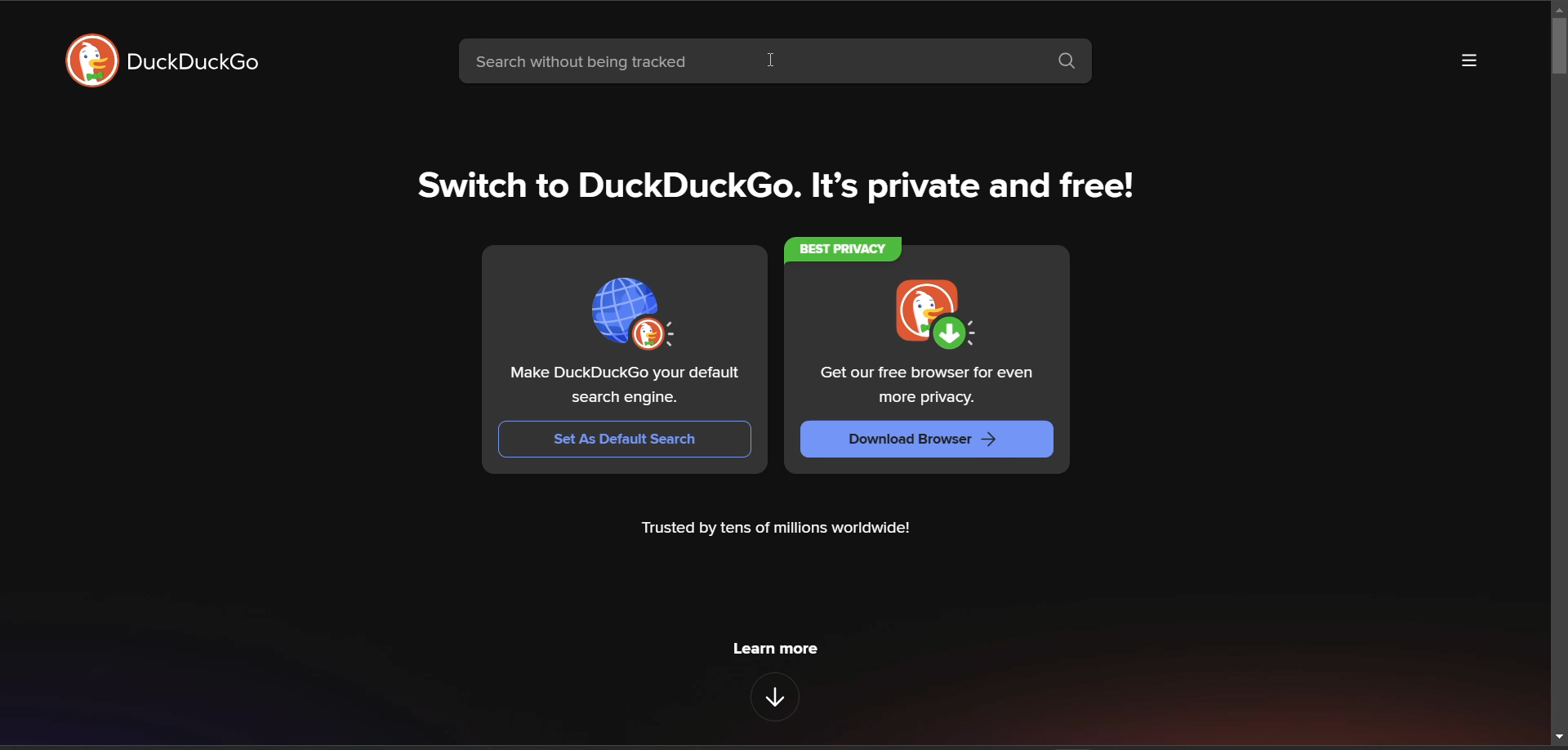 This screenshot has height=750, width=1568. What do you see at coordinates (1469, 61) in the screenshot?
I see `more options` at bounding box center [1469, 61].